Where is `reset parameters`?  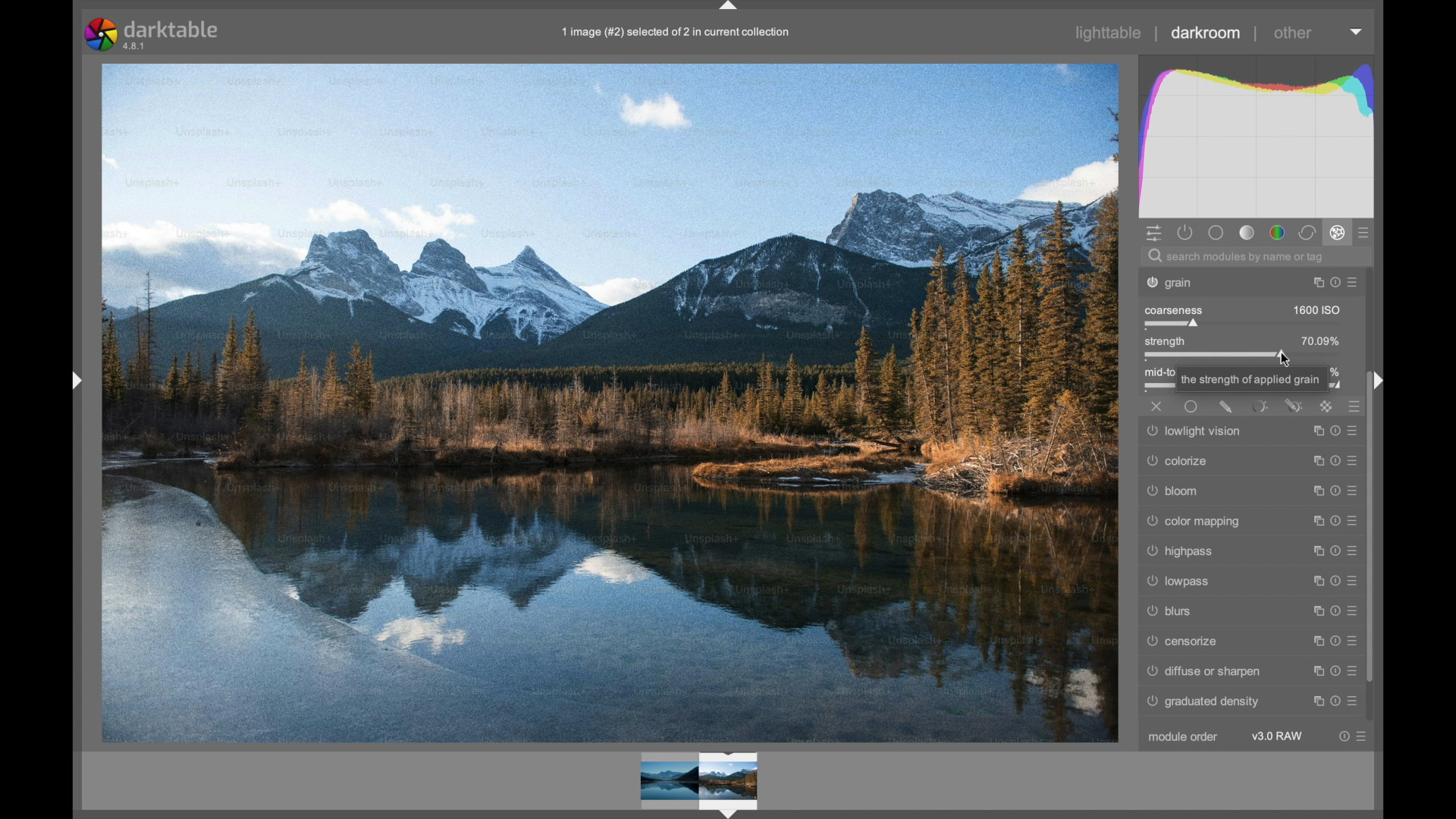 reset parameters is located at coordinates (1335, 281).